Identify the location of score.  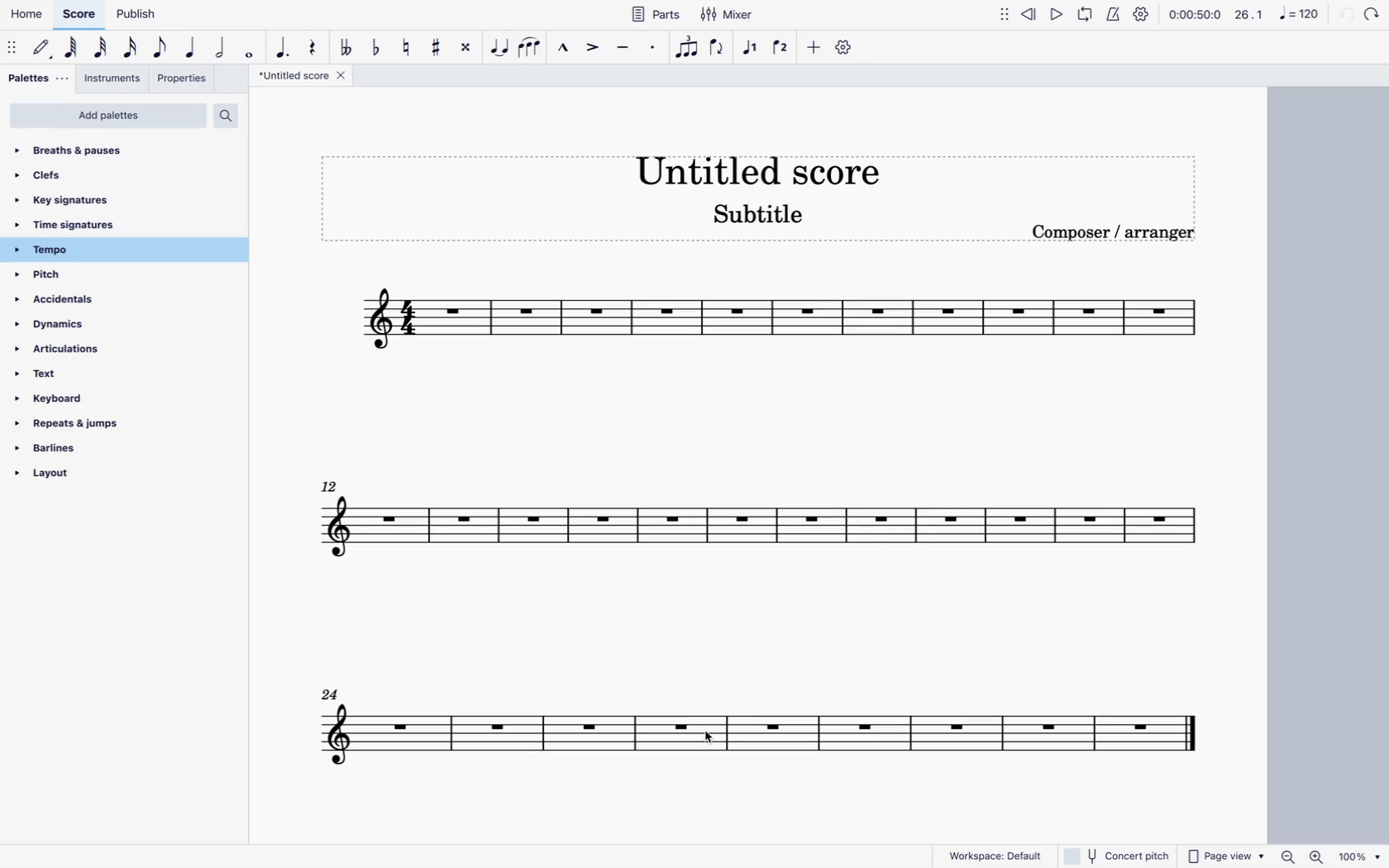
(81, 13).